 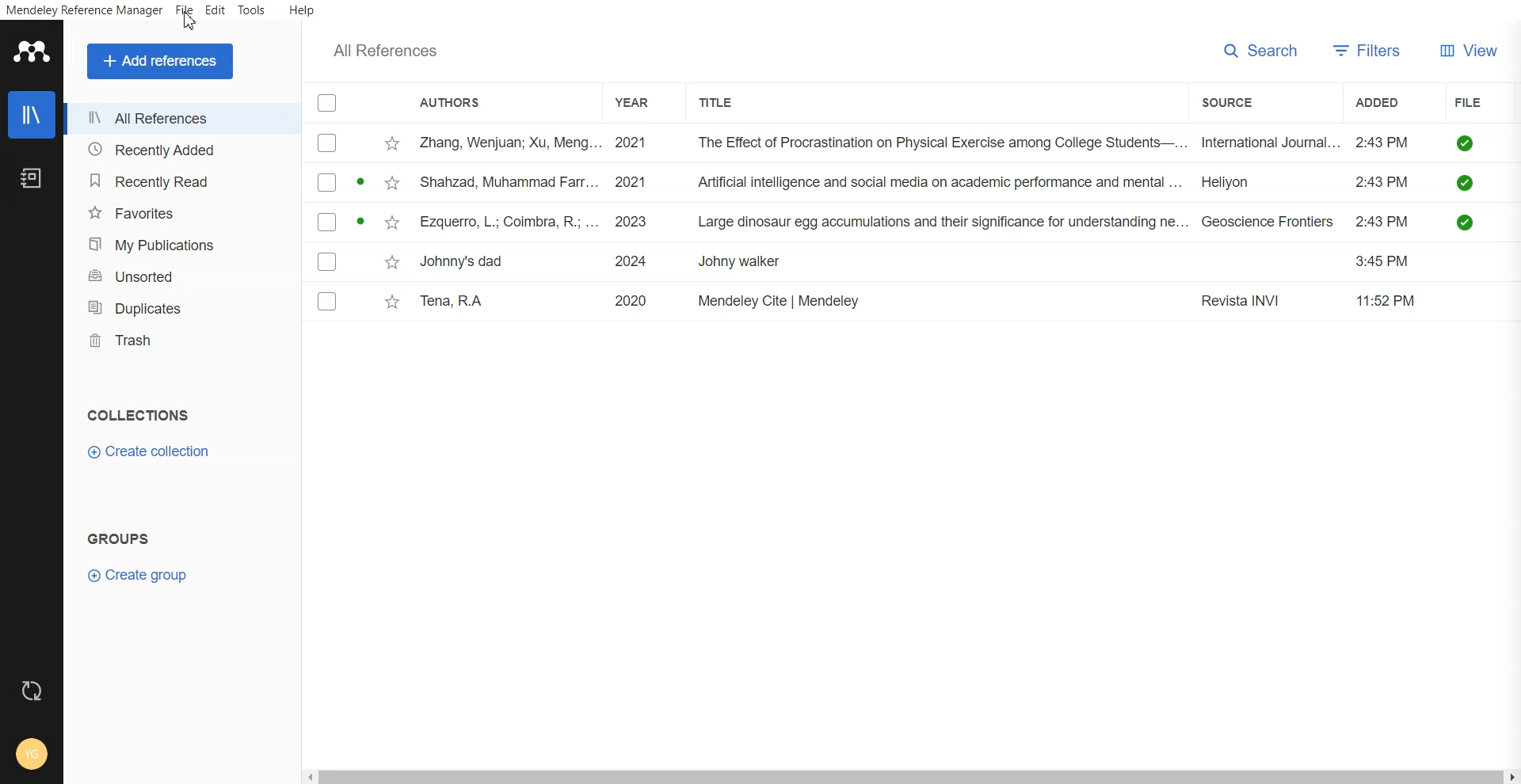 What do you see at coordinates (465, 259) in the screenshot?
I see `Johnny's dad` at bounding box center [465, 259].